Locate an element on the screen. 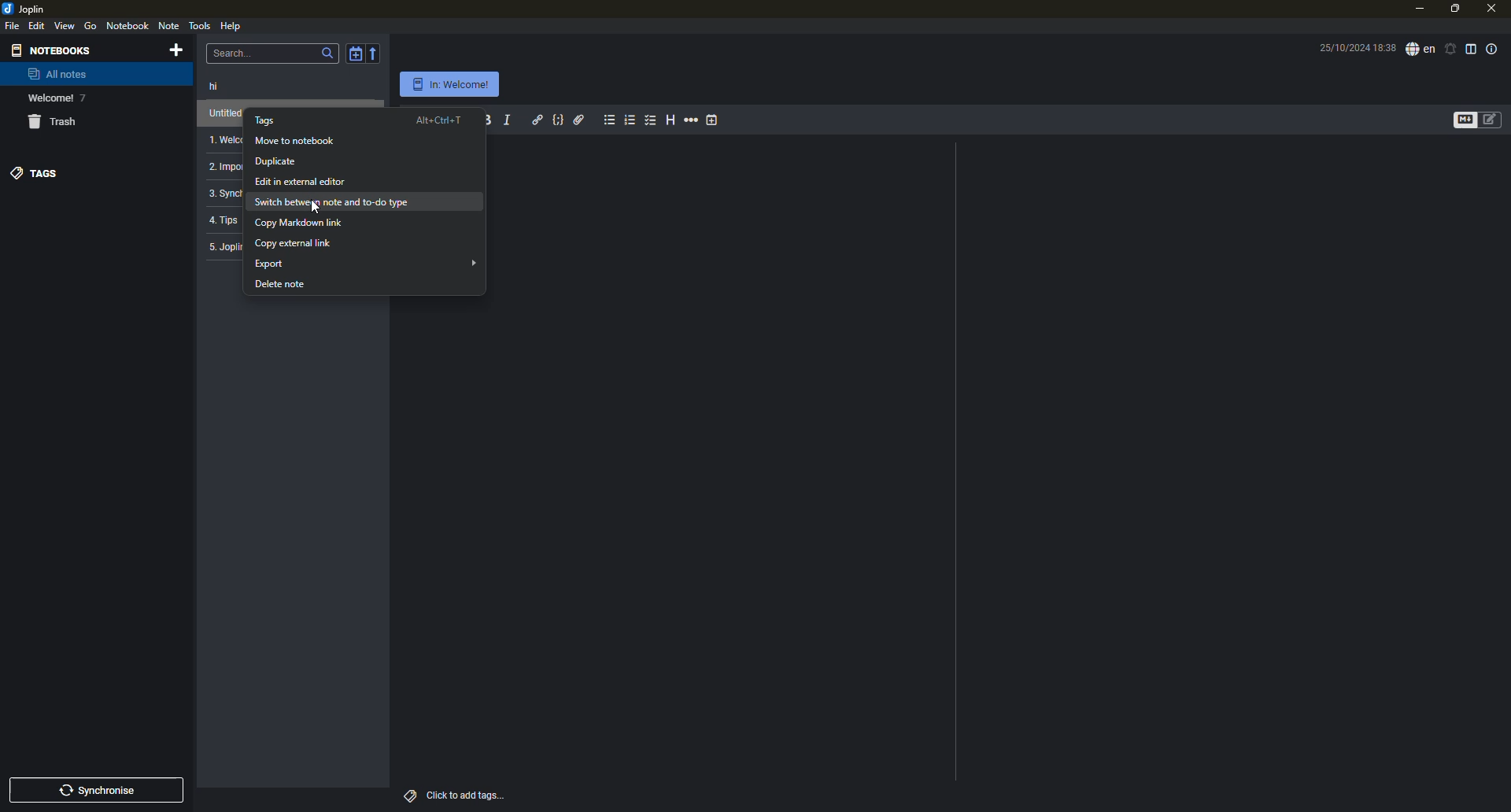 This screenshot has width=1511, height=812. file is located at coordinates (12, 25).